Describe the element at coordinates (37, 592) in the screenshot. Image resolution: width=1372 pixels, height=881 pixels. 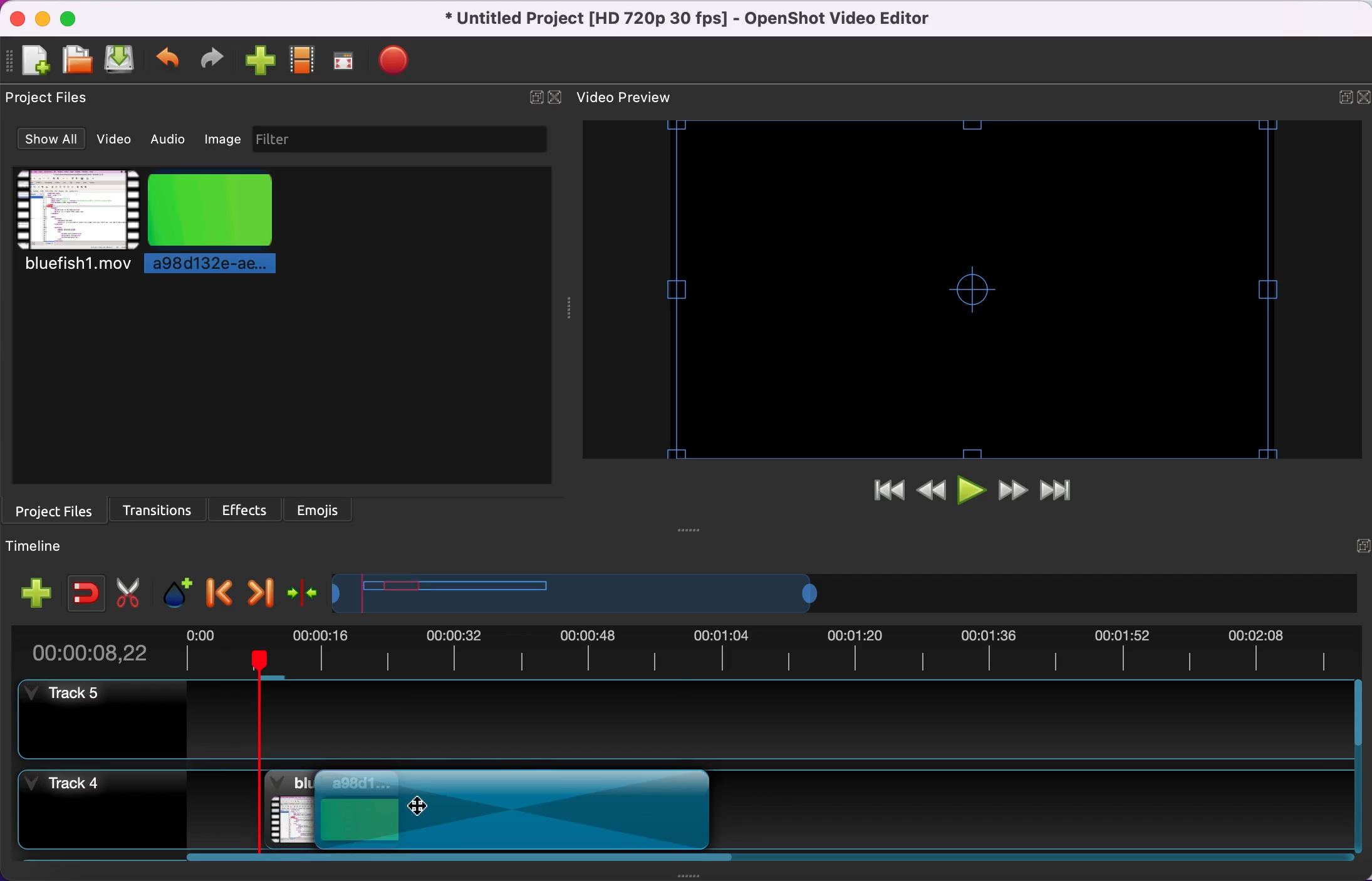
I see `add track` at that location.